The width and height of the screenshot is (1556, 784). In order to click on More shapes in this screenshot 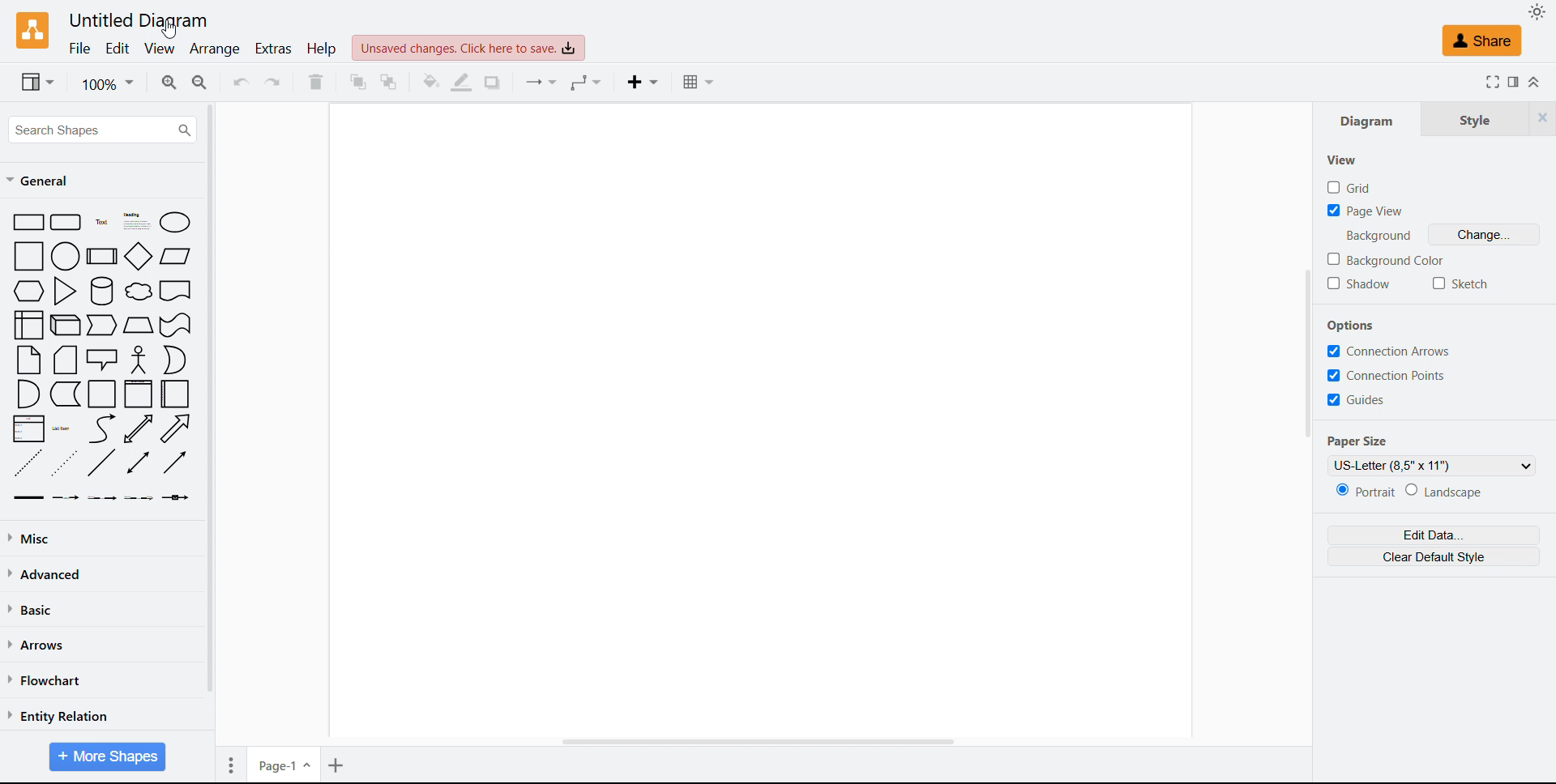, I will do `click(107, 757)`.